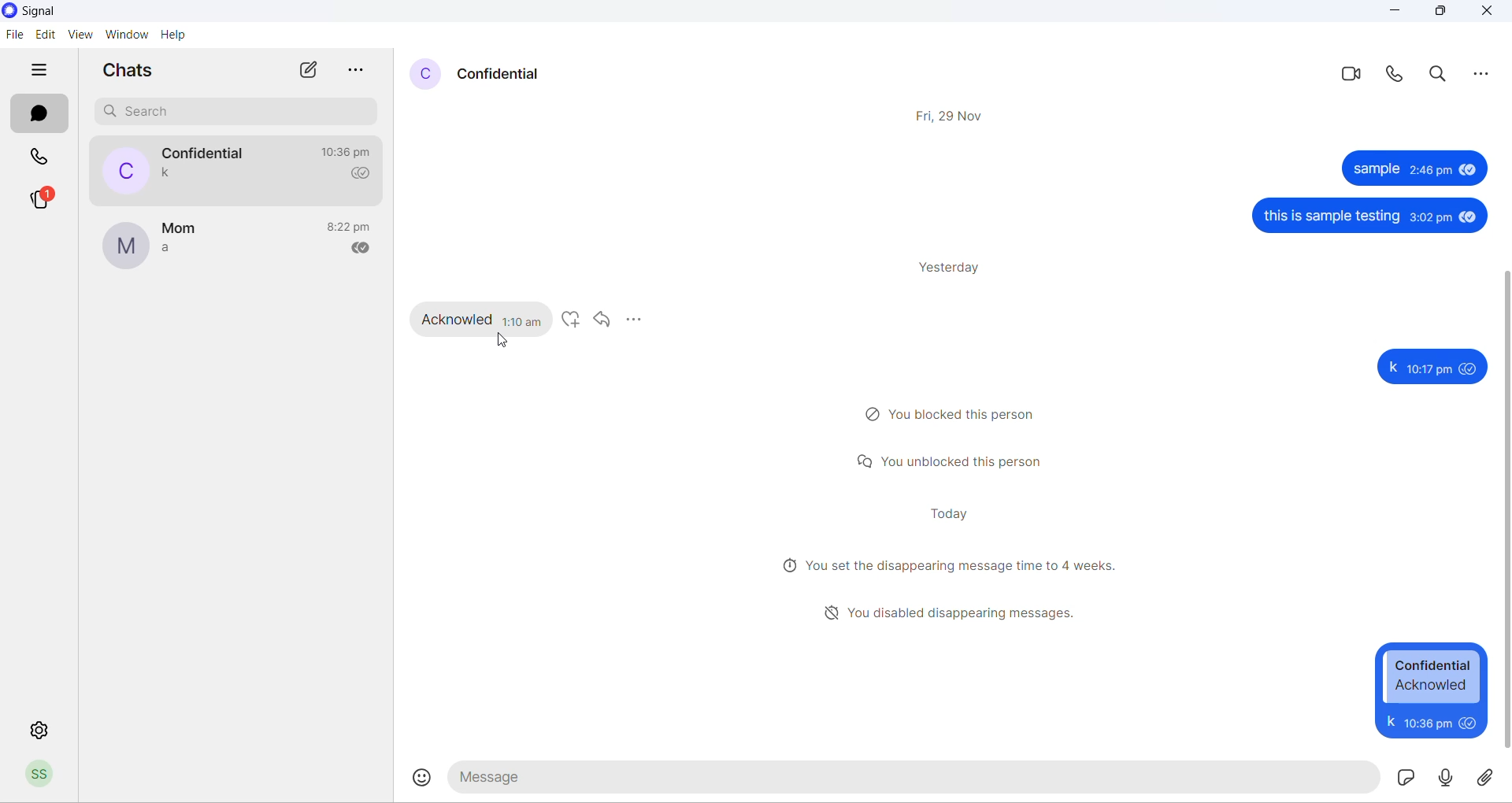 Image resolution: width=1512 pixels, height=803 pixels. I want to click on share attachments, so click(1490, 775).